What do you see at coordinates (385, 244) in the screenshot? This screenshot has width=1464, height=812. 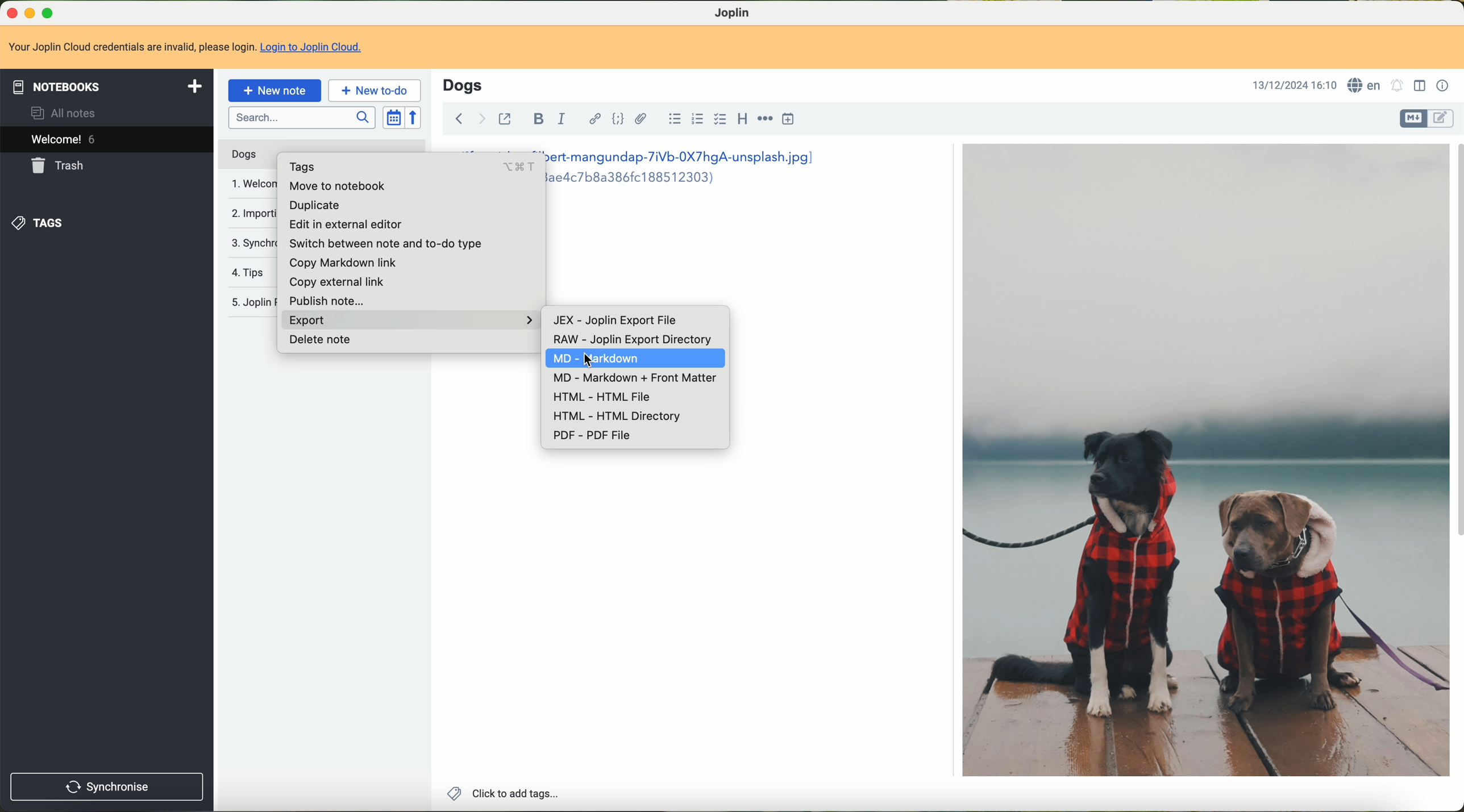 I see `switch between note and no-to type` at bounding box center [385, 244].